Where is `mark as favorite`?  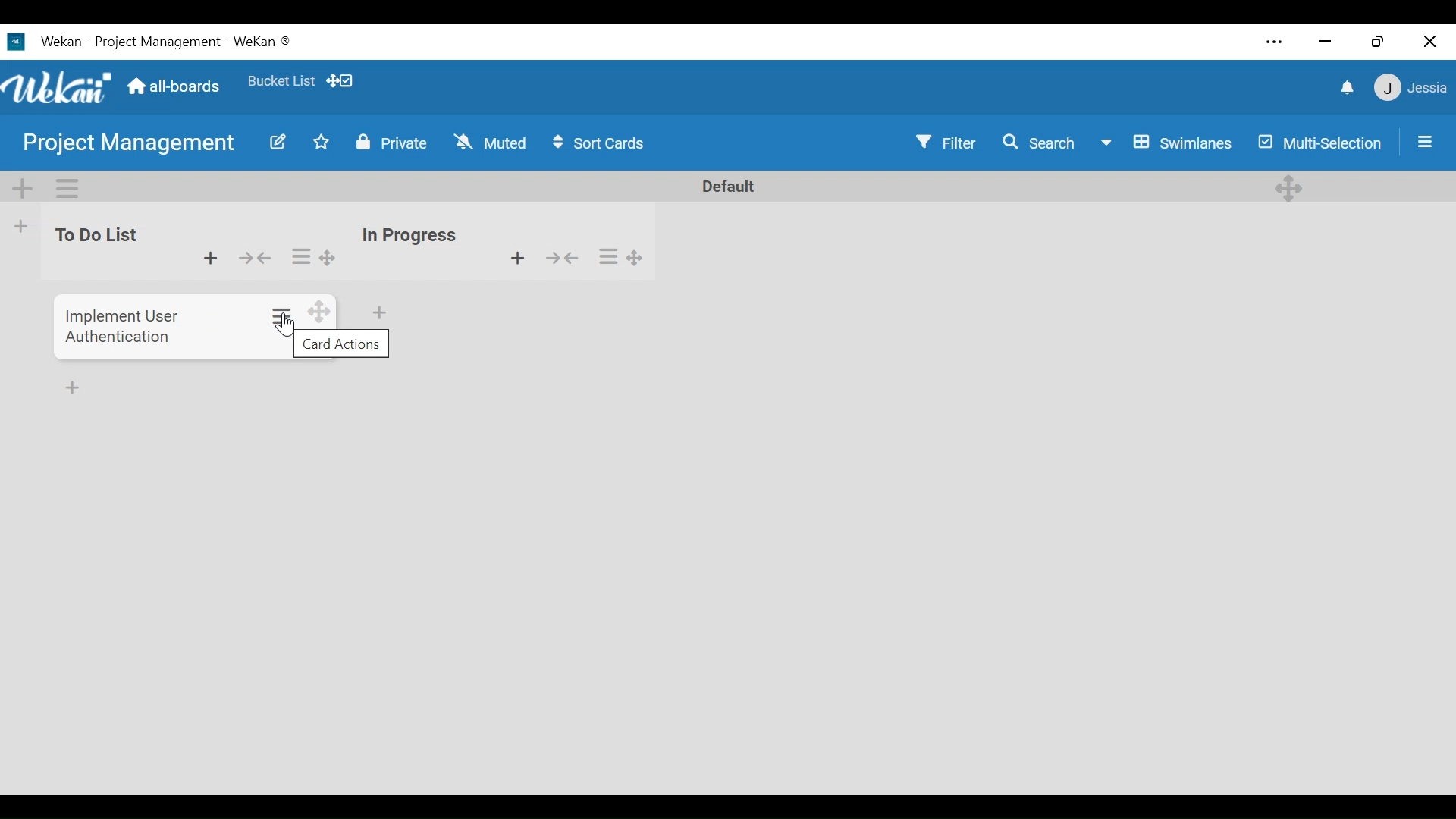 mark as favorite is located at coordinates (323, 144).